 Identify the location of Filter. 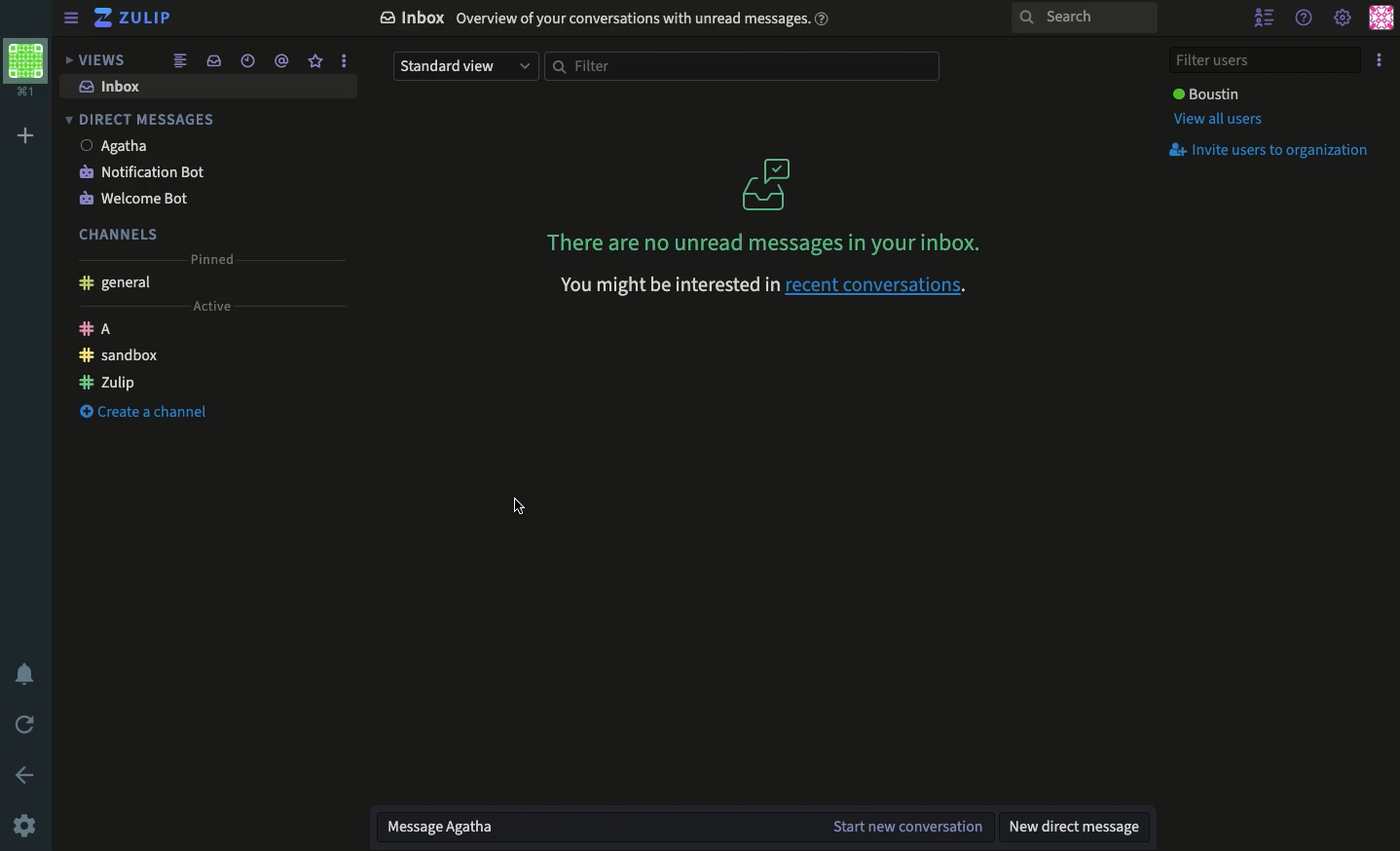
(741, 66).